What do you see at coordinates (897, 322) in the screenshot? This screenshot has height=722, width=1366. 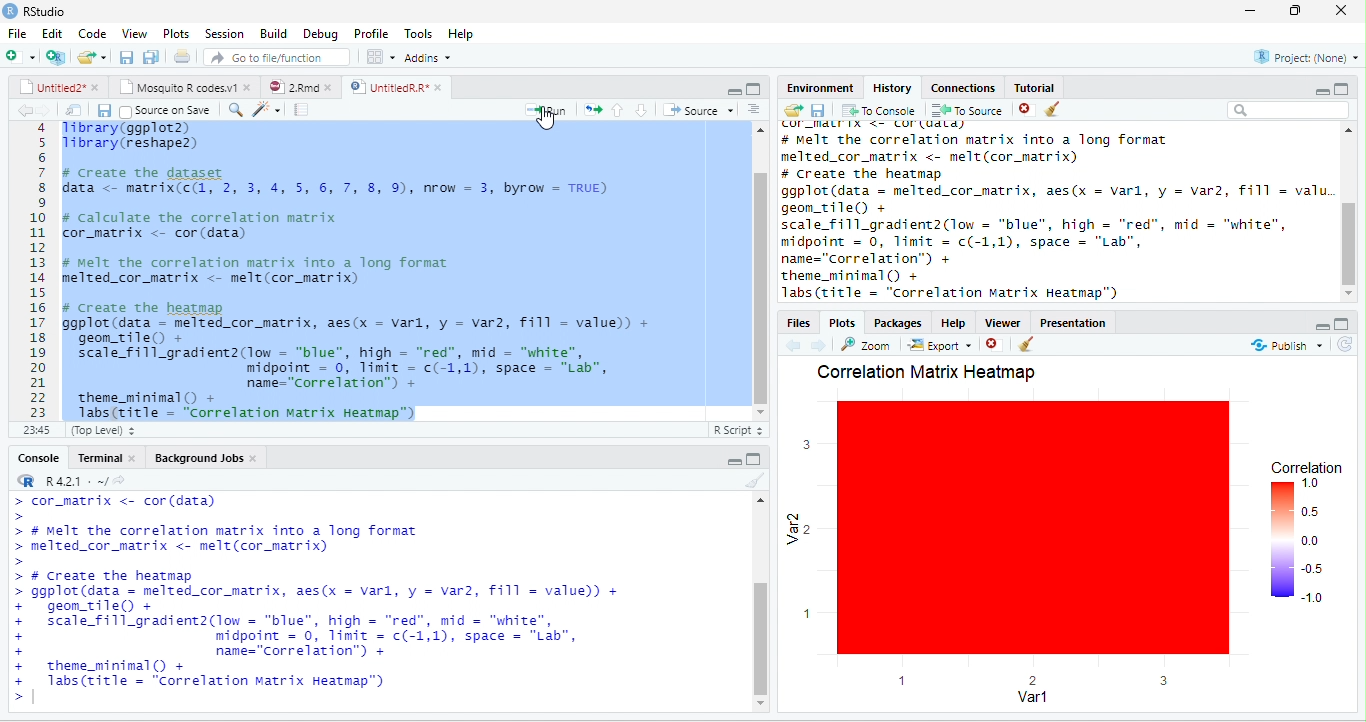 I see `packages` at bounding box center [897, 322].